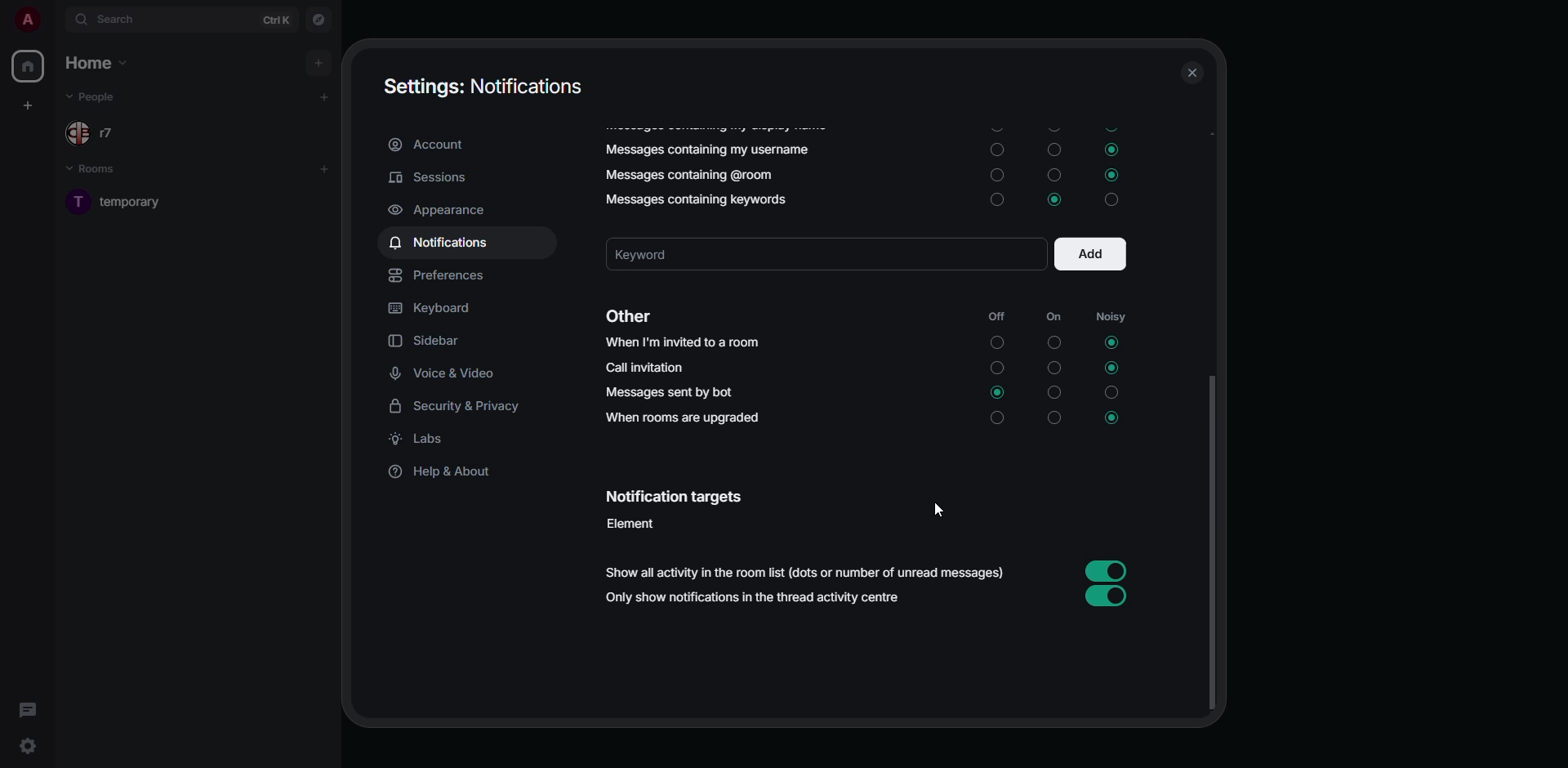  Describe the element at coordinates (1192, 74) in the screenshot. I see `close` at that location.